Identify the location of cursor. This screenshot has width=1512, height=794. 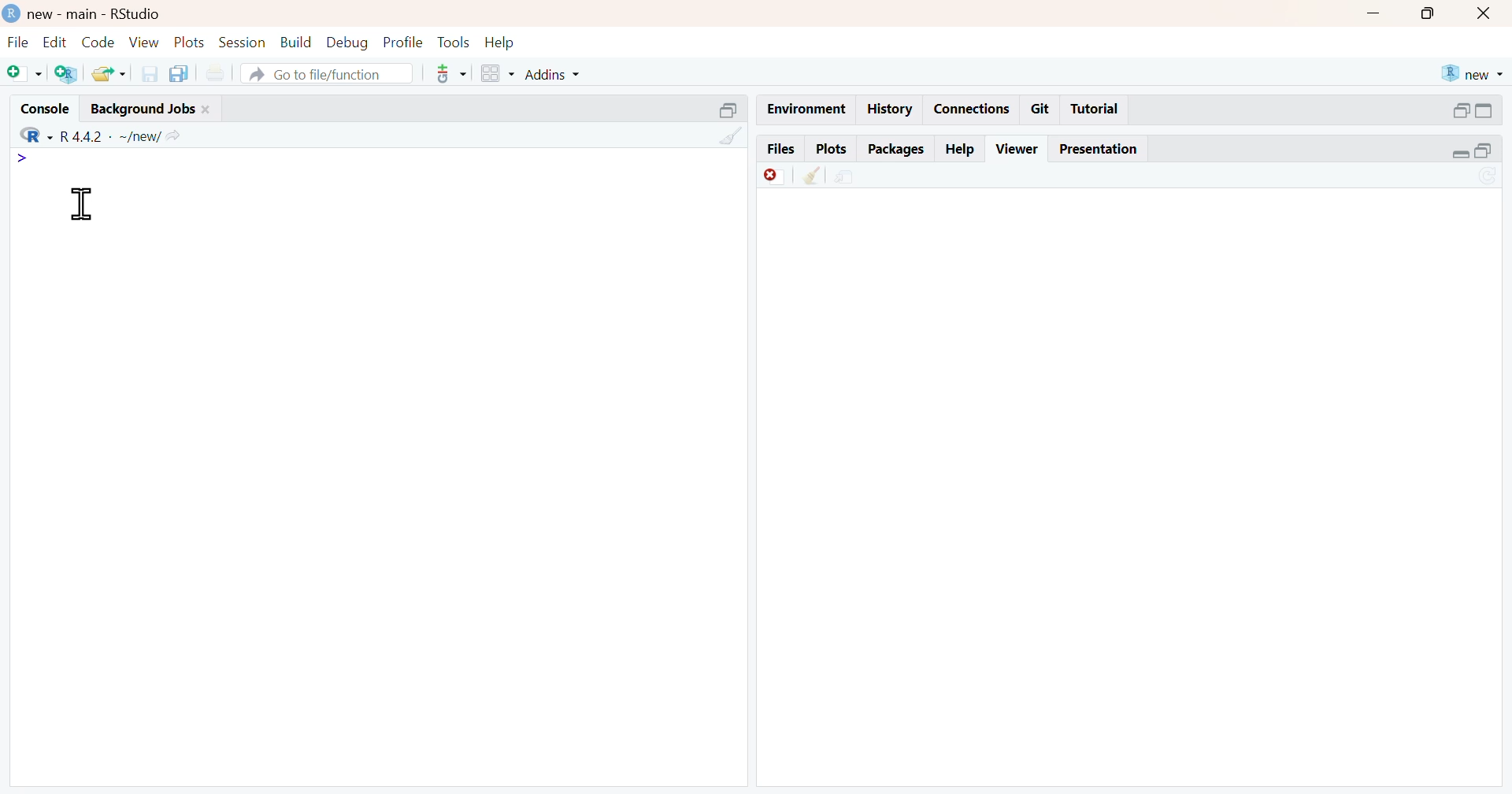
(83, 206).